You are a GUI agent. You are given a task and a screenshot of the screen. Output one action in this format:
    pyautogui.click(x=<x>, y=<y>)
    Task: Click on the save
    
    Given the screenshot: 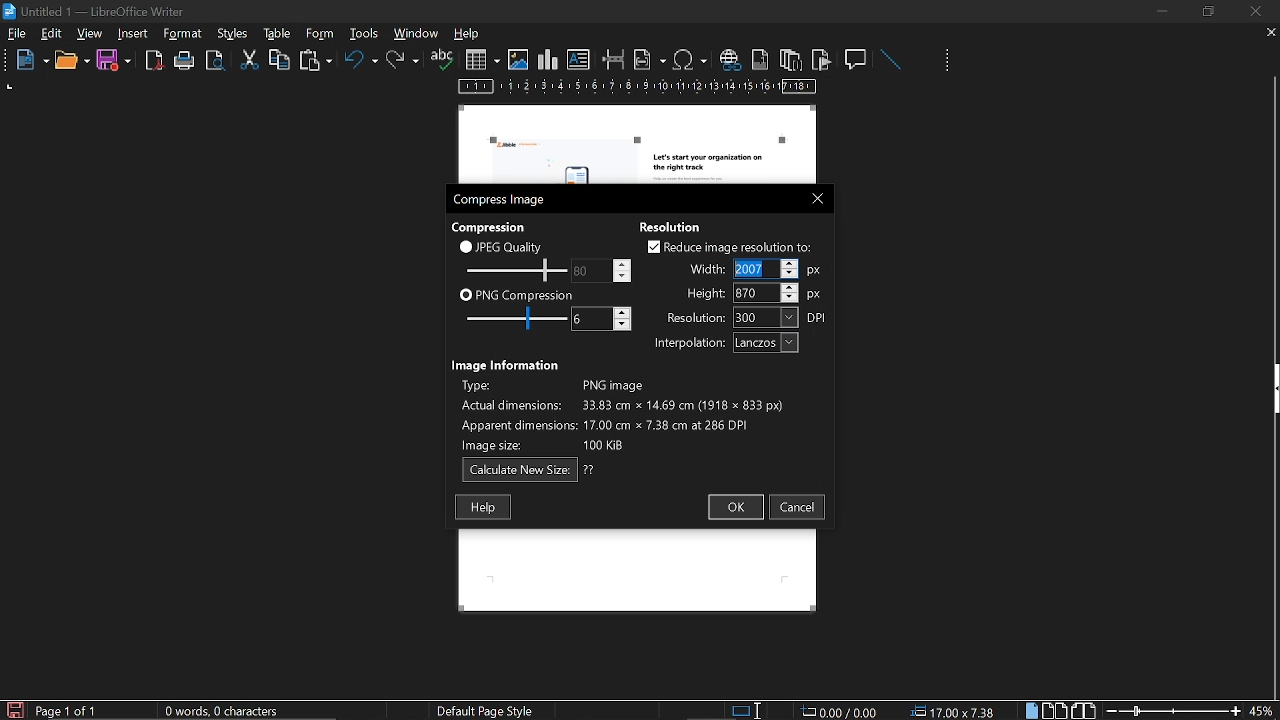 What is the action you would take?
    pyautogui.click(x=14, y=709)
    